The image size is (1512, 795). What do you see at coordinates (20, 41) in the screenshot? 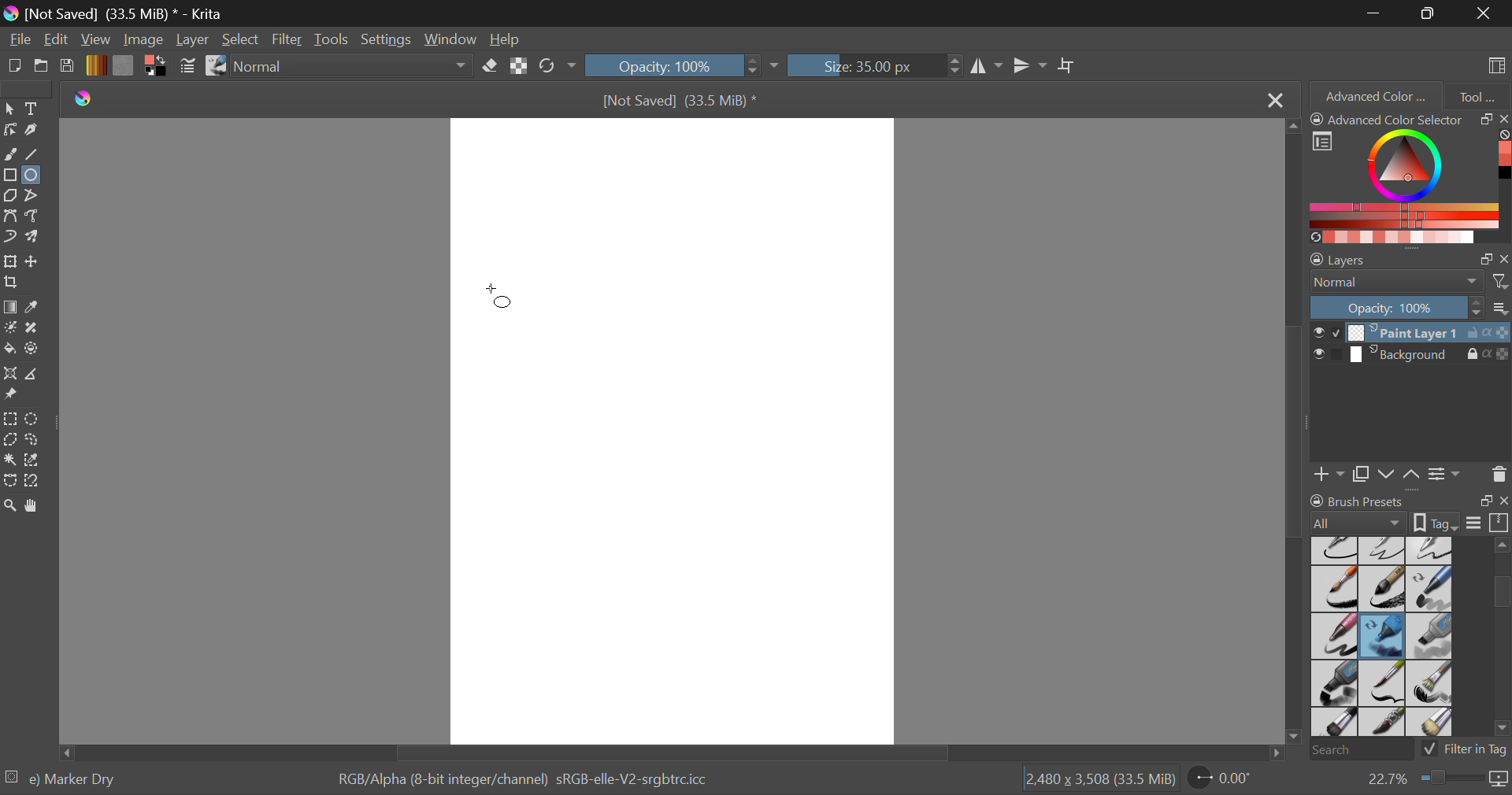
I see `File` at bounding box center [20, 41].